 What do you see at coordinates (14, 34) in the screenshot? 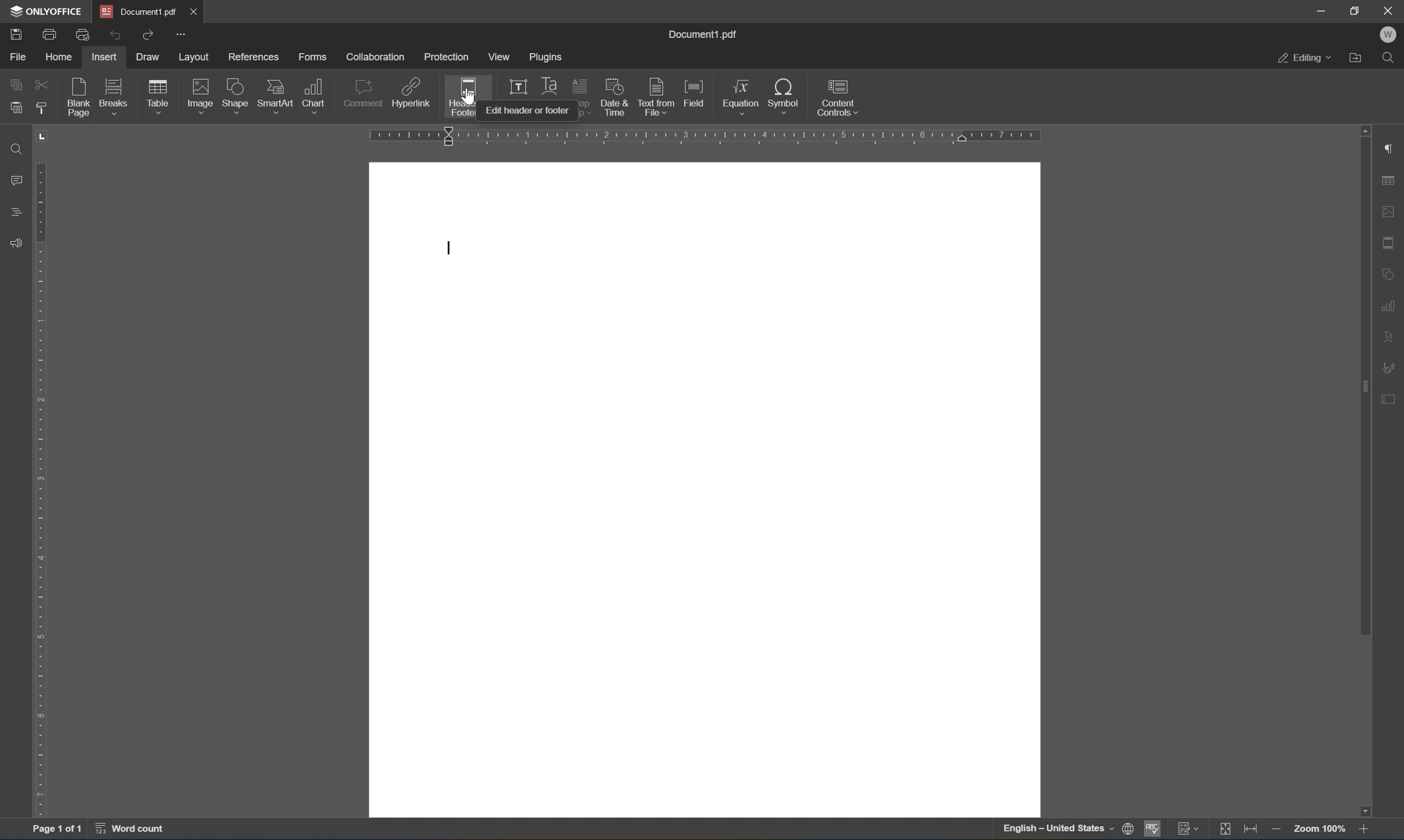
I see `save` at bounding box center [14, 34].